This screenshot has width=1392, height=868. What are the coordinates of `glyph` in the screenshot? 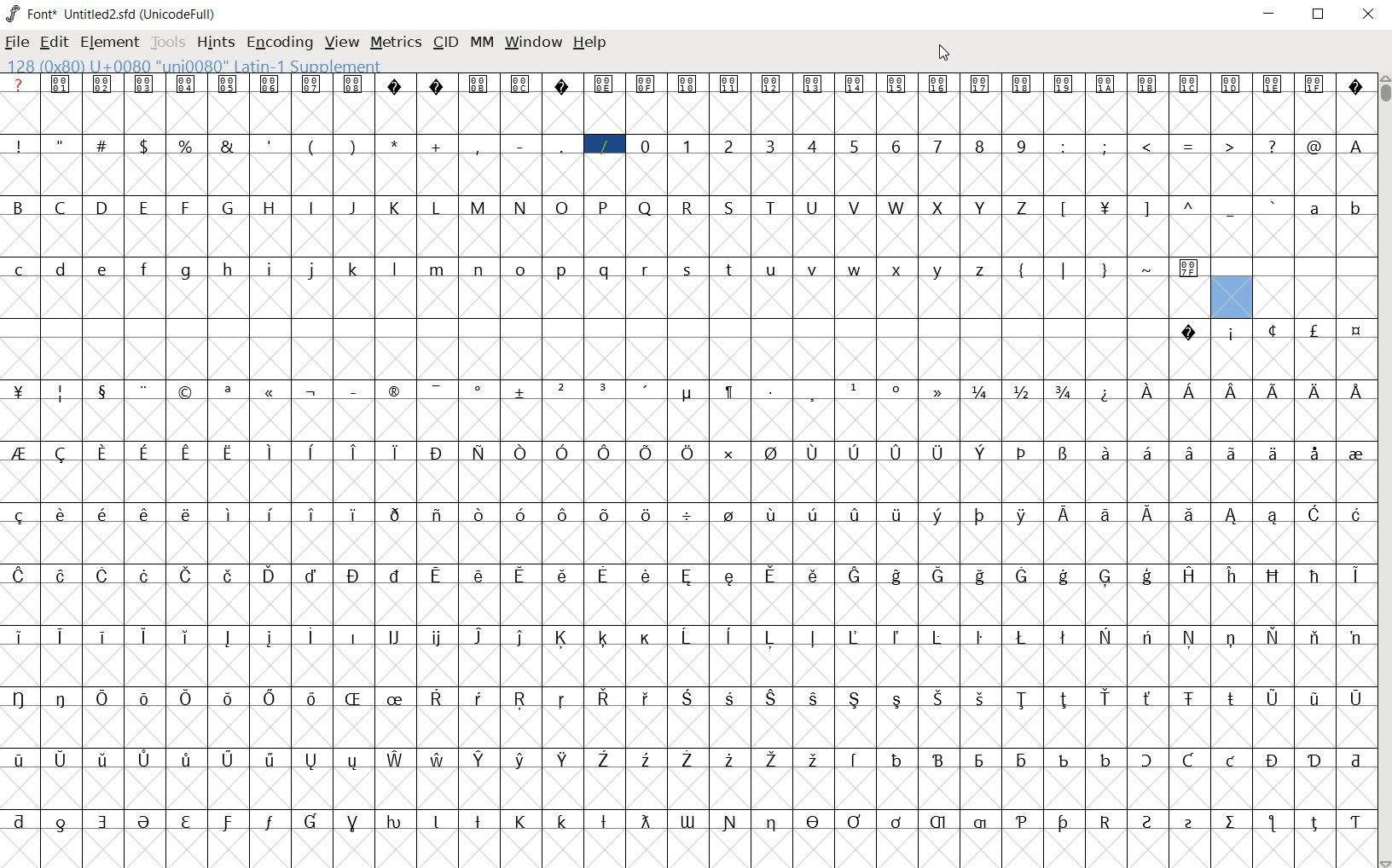 It's located at (646, 270).